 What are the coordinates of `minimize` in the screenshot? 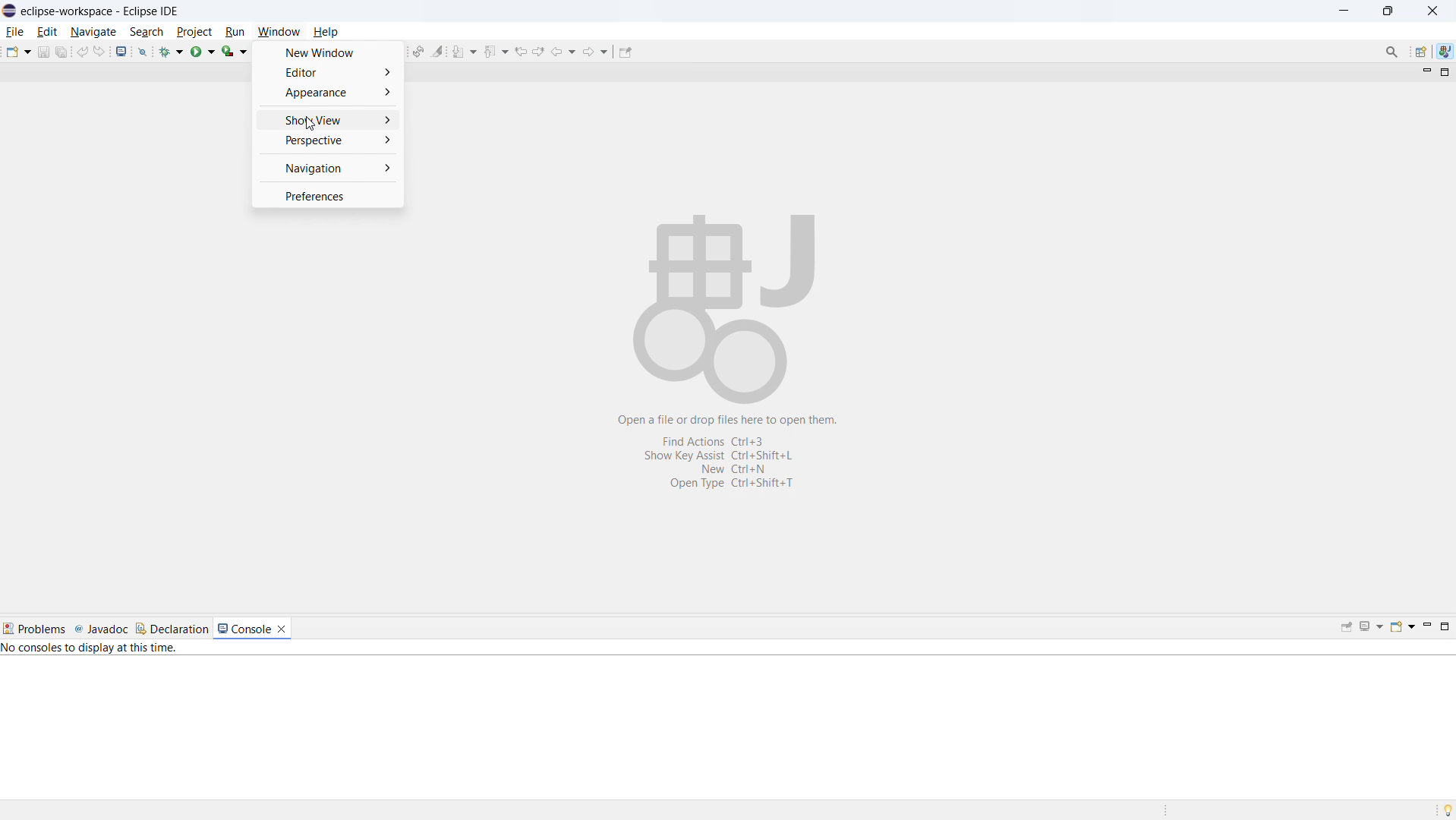 It's located at (1423, 71).